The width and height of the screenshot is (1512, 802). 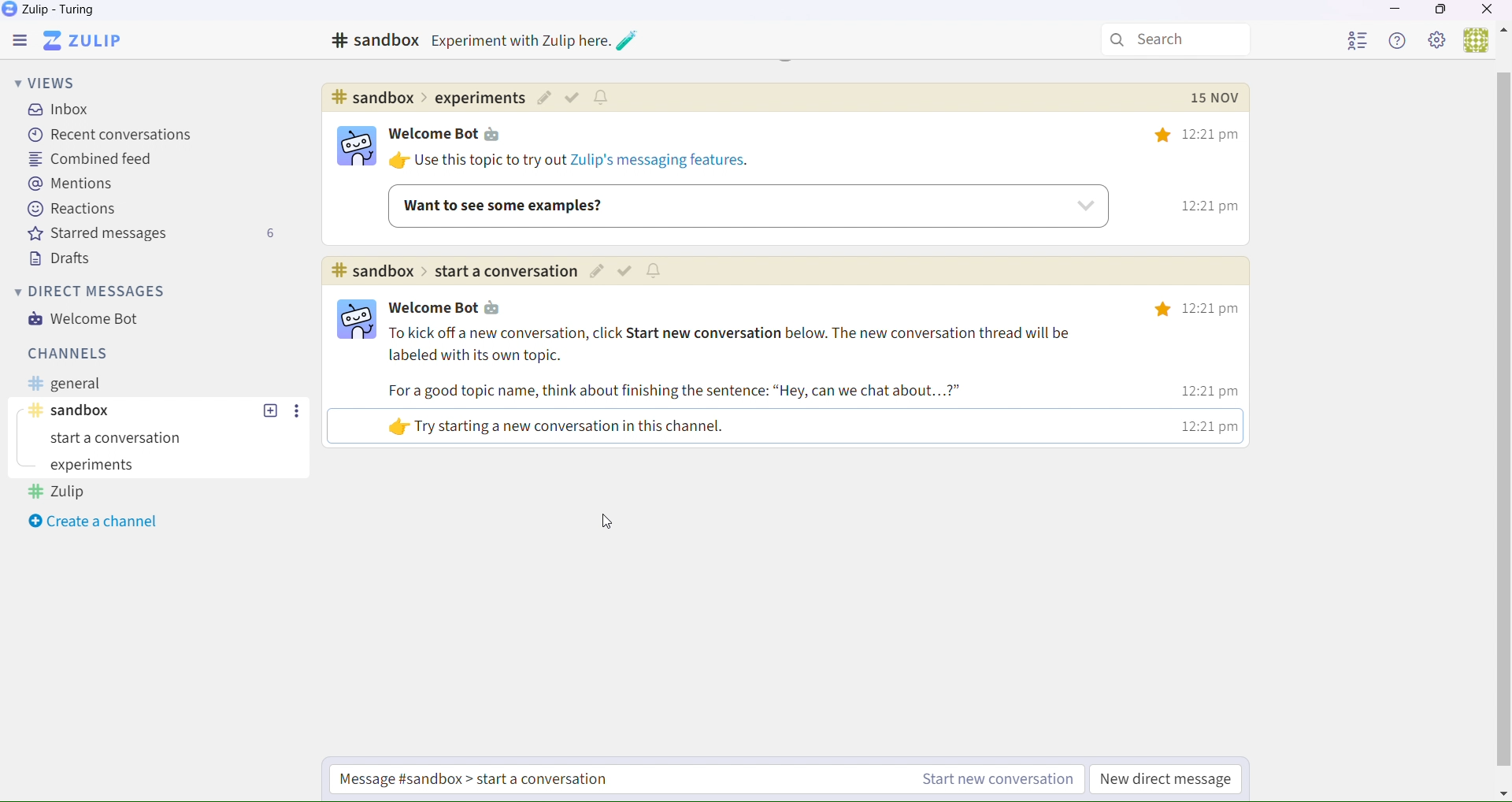 What do you see at coordinates (548, 780) in the screenshot?
I see `Start a new conversation` at bounding box center [548, 780].